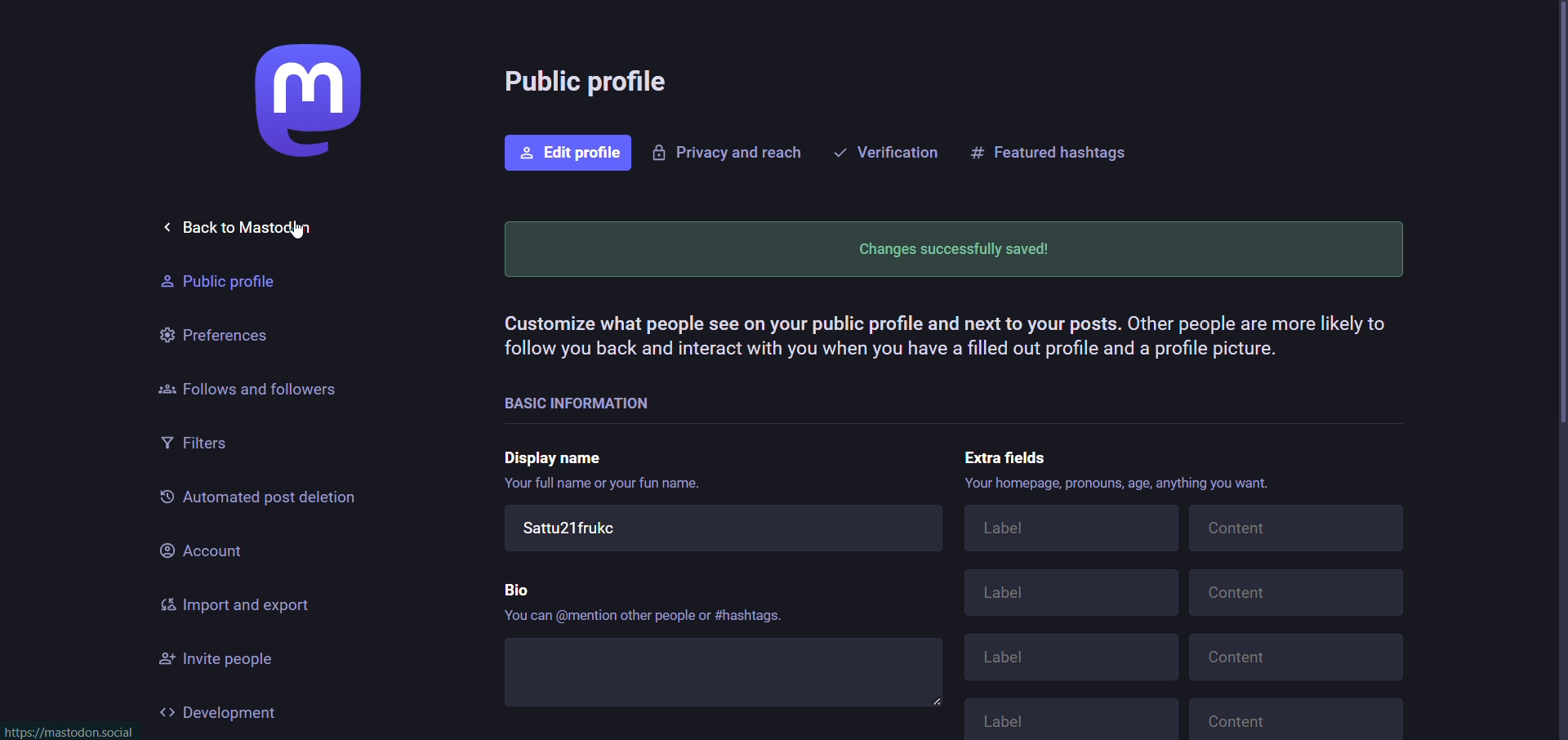  Describe the element at coordinates (729, 676) in the screenshot. I see `write bio here` at that location.